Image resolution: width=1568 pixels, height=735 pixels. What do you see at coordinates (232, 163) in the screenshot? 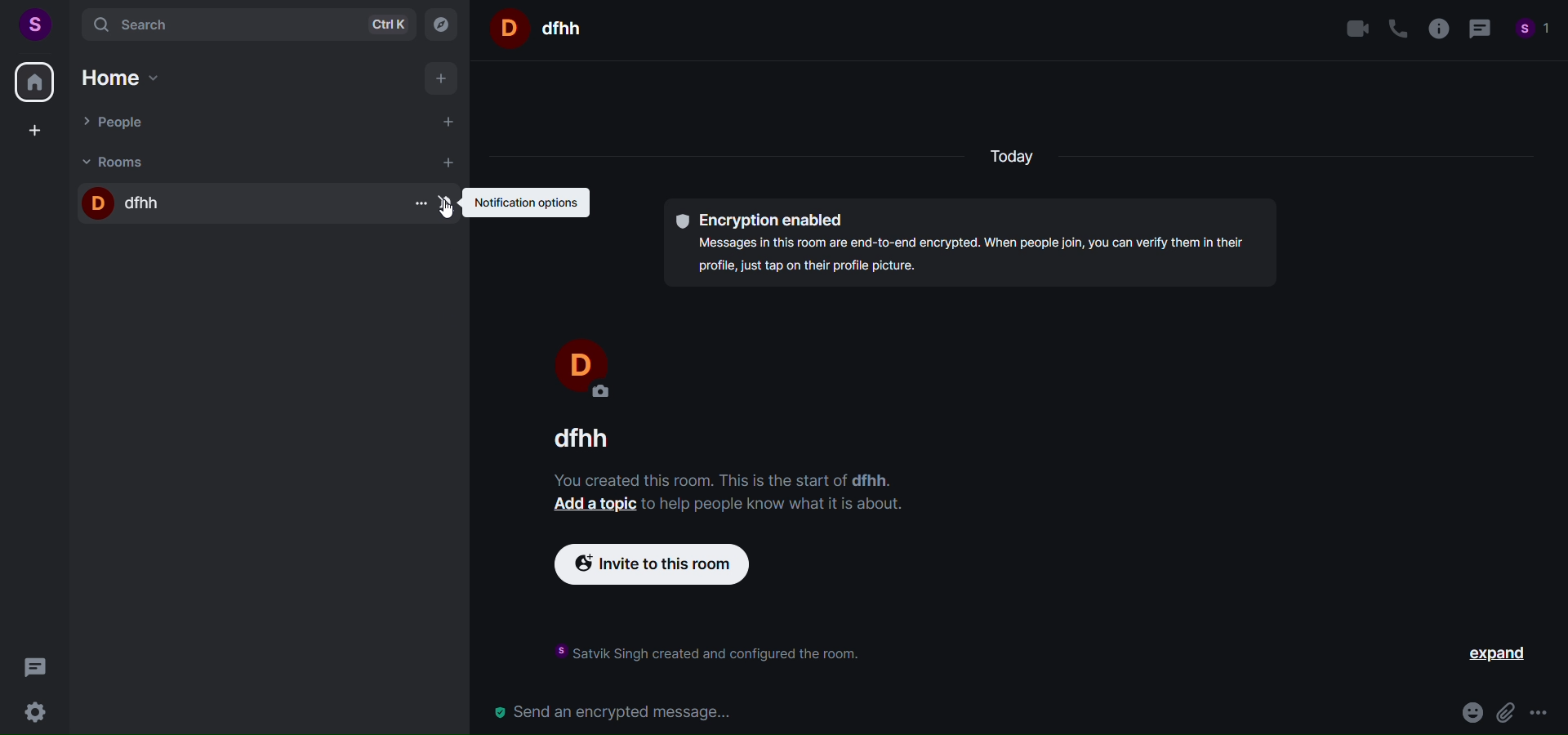
I see `rooms` at bounding box center [232, 163].